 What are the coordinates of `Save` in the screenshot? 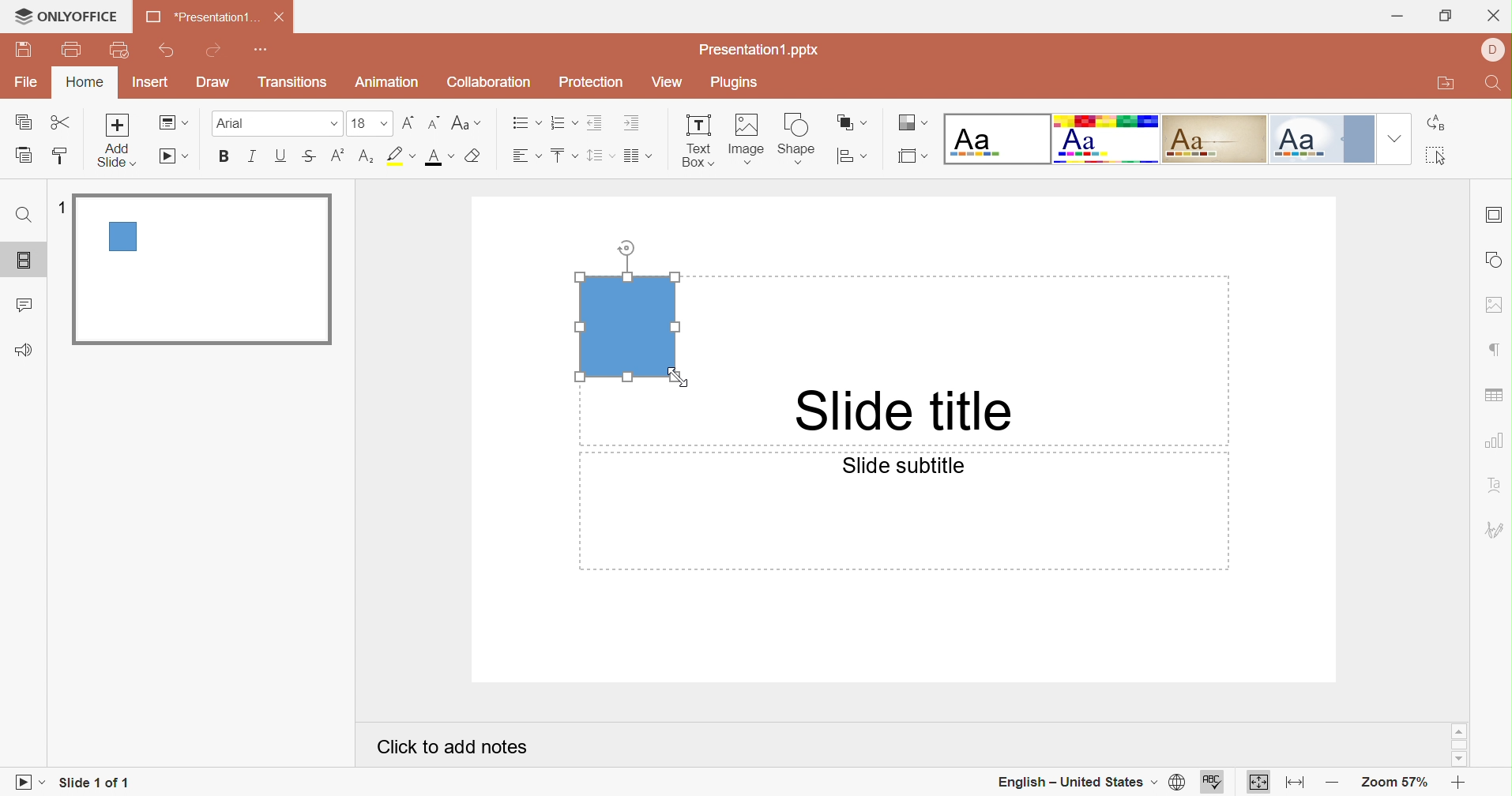 It's located at (24, 50).